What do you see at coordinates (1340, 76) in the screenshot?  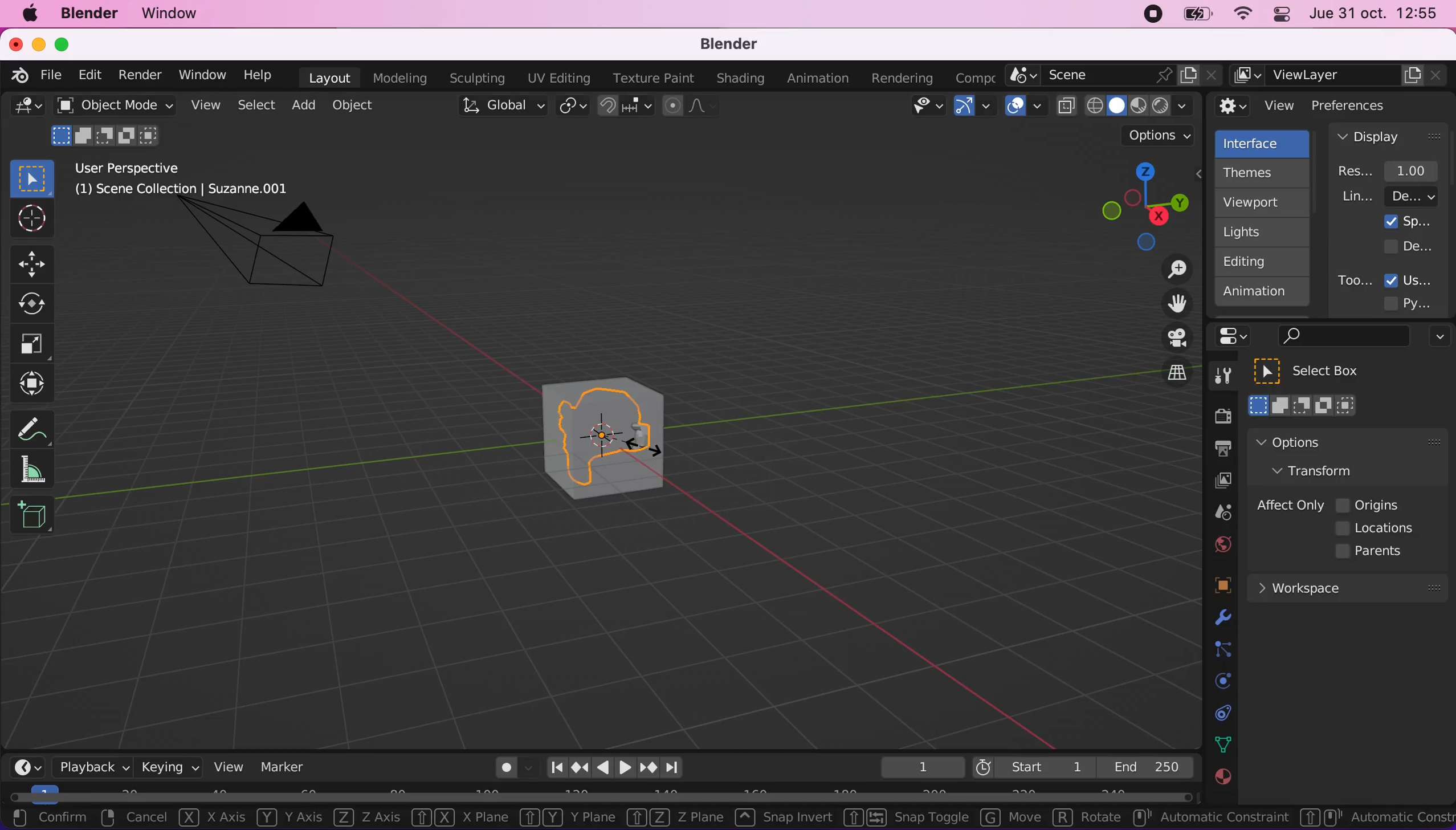 I see `view layer` at bounding box center [1340, 76].